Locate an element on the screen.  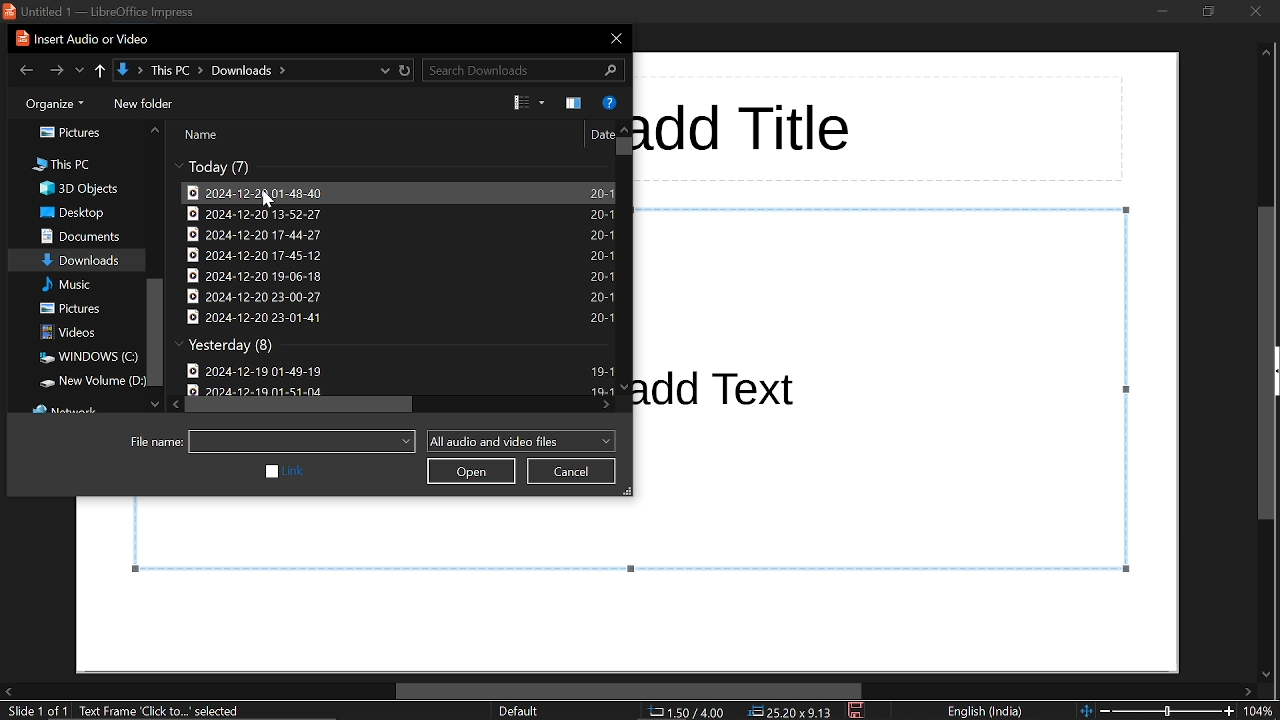
file titled "2024-12-20 23-01-41"  is located at coordinates (399, 317).